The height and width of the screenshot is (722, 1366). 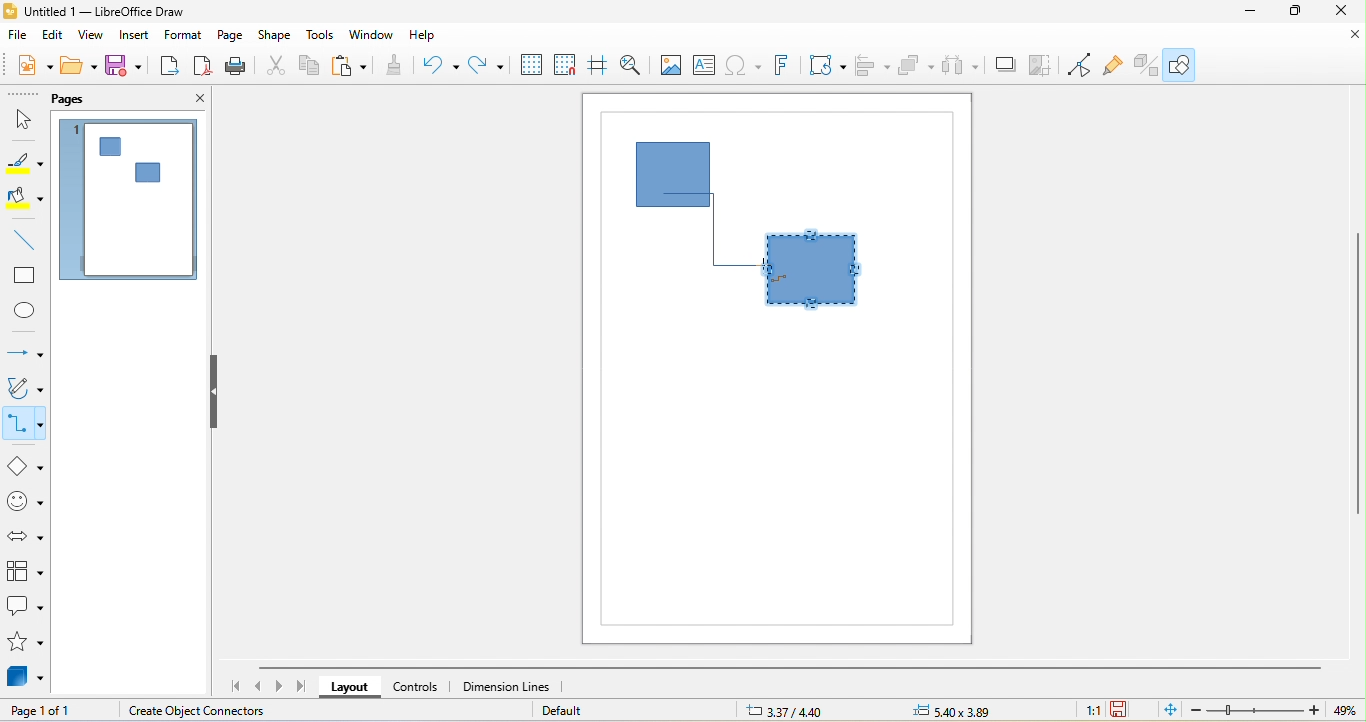 What do you see at coordinates (788, 670) in the screenshot?
I see `horizontal scroll bar` at bounding box center [788, 670].